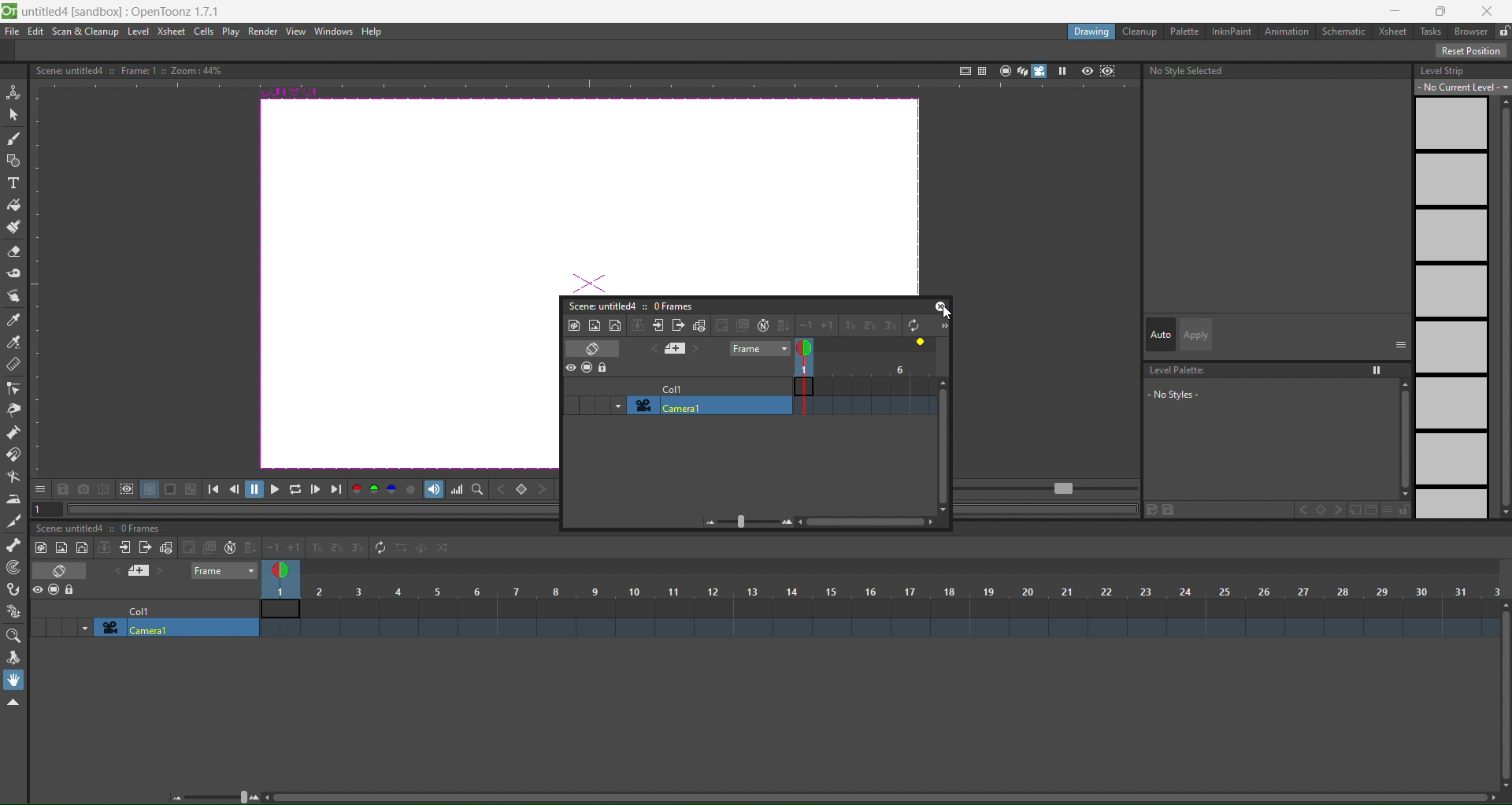 The width and height of the screenshot is (1512, 805). Describe the element at coordinates (217, 796) in the screenshot. I see `zoom ` at that location.